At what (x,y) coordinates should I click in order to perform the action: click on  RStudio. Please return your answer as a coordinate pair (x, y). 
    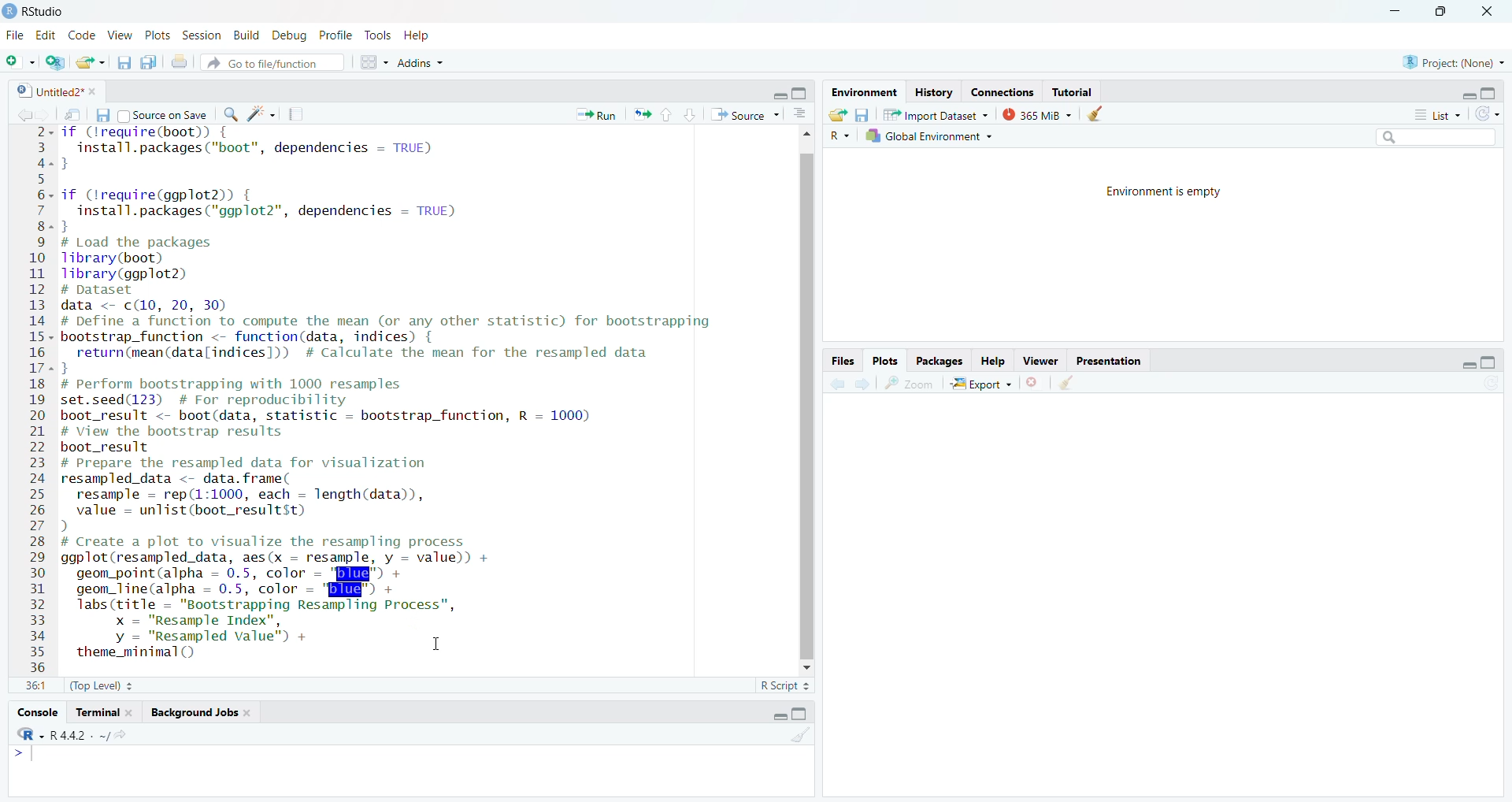
    Looking at the image, I should click on (43, 9).